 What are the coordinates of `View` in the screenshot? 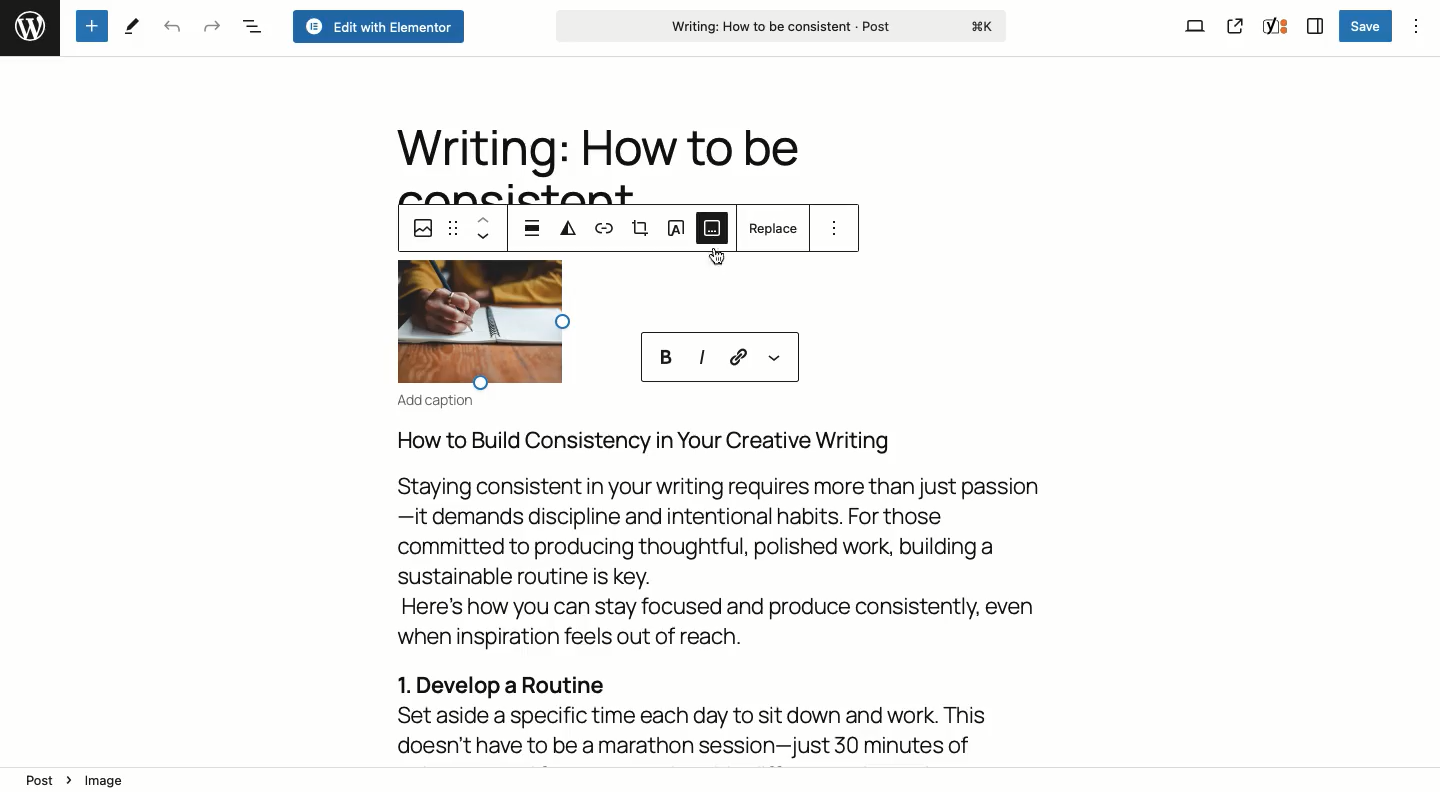 It's located at (1195, 25).